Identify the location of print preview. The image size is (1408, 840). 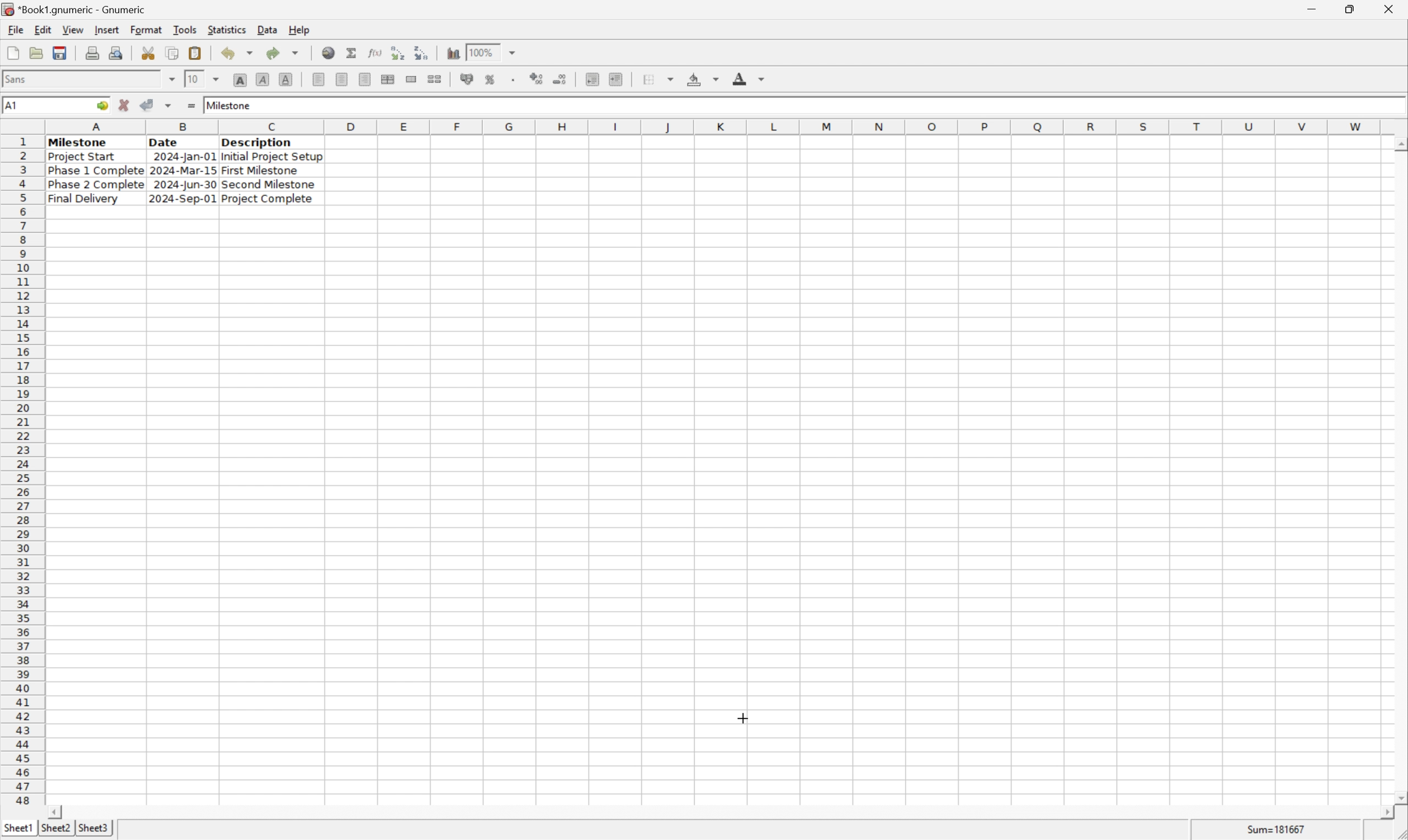
(92, 52).